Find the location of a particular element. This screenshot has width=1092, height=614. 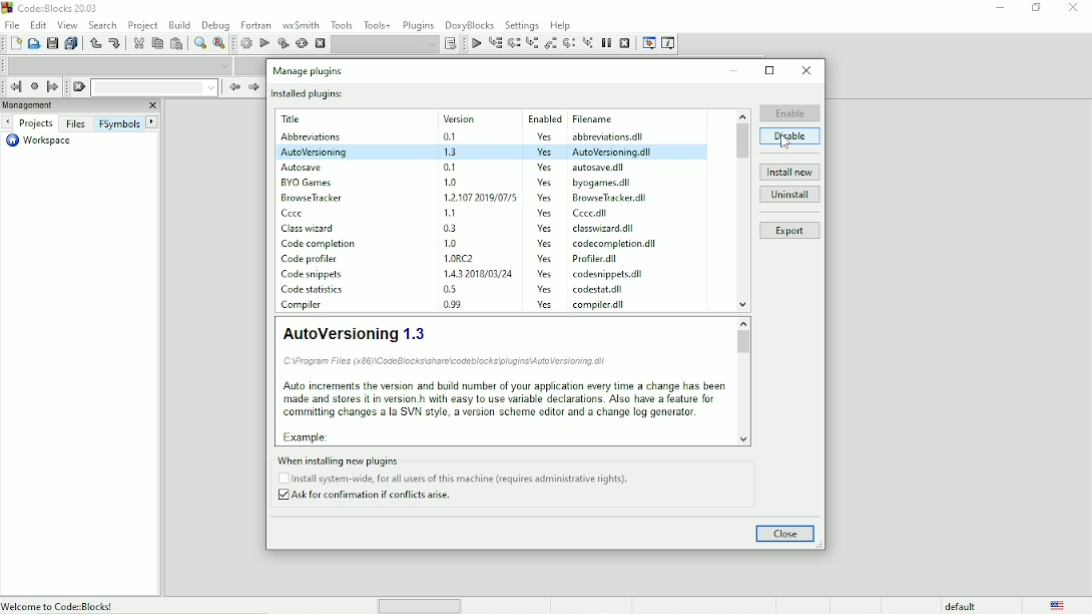

Undo is located at coordinates (94, 43).